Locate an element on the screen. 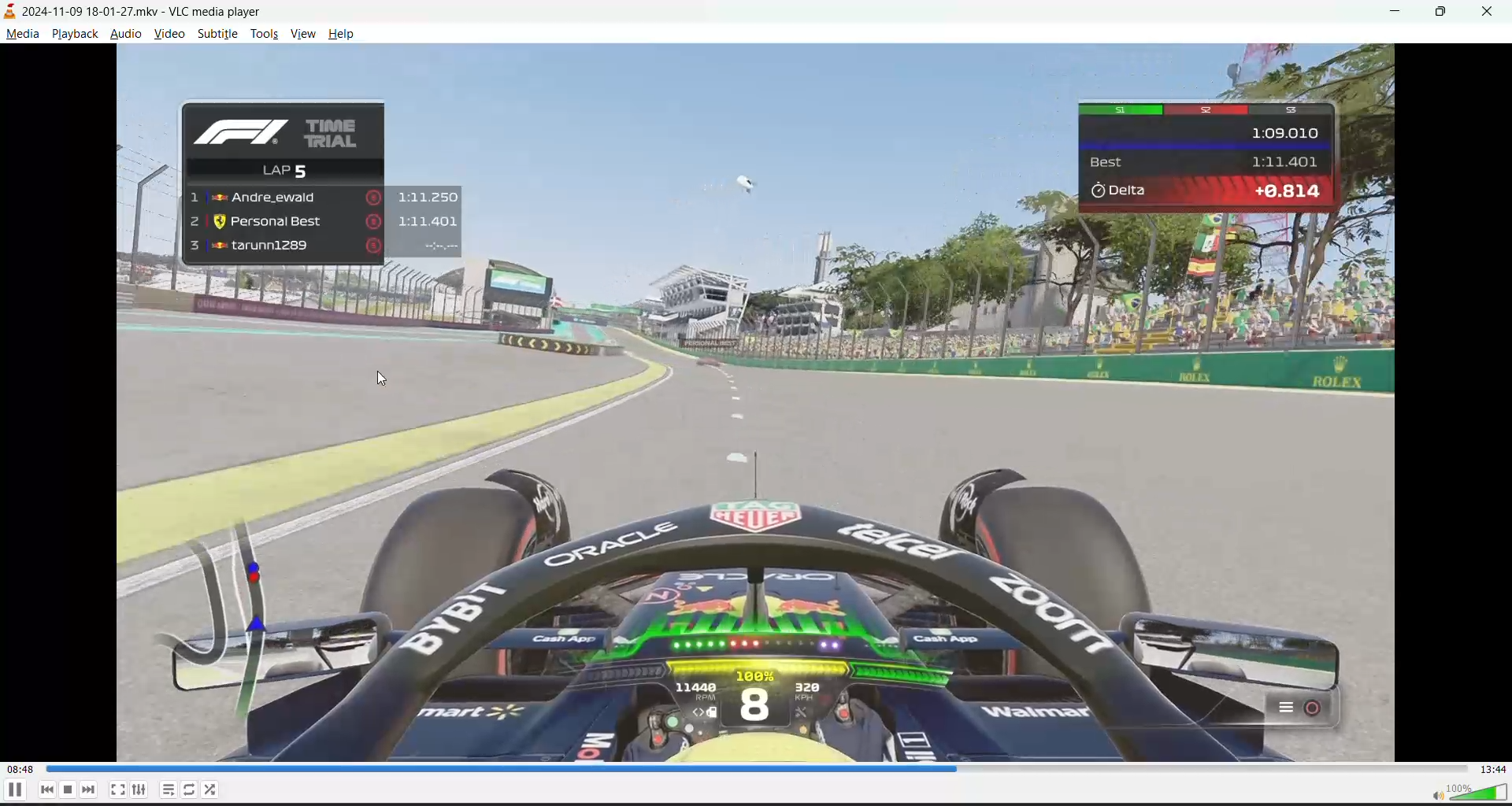 The height and width of the screenshot is (806, 1512). total track time is located at coordinates (1493, 767).